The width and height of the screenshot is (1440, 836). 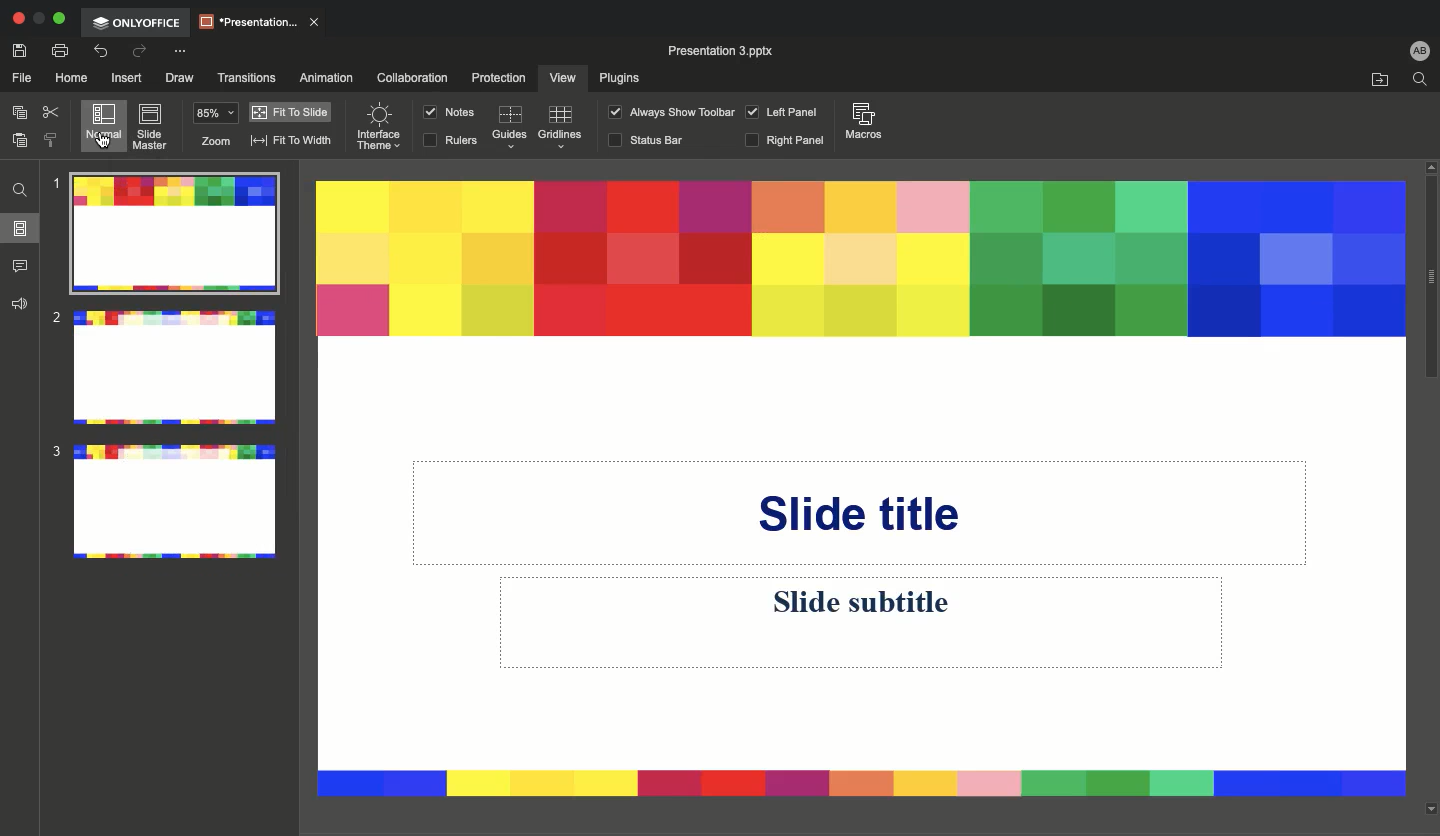 What do you see at coordinates (21, 188) in the screenshot?
I see `Find and replace` at bounding box center [21, 188].